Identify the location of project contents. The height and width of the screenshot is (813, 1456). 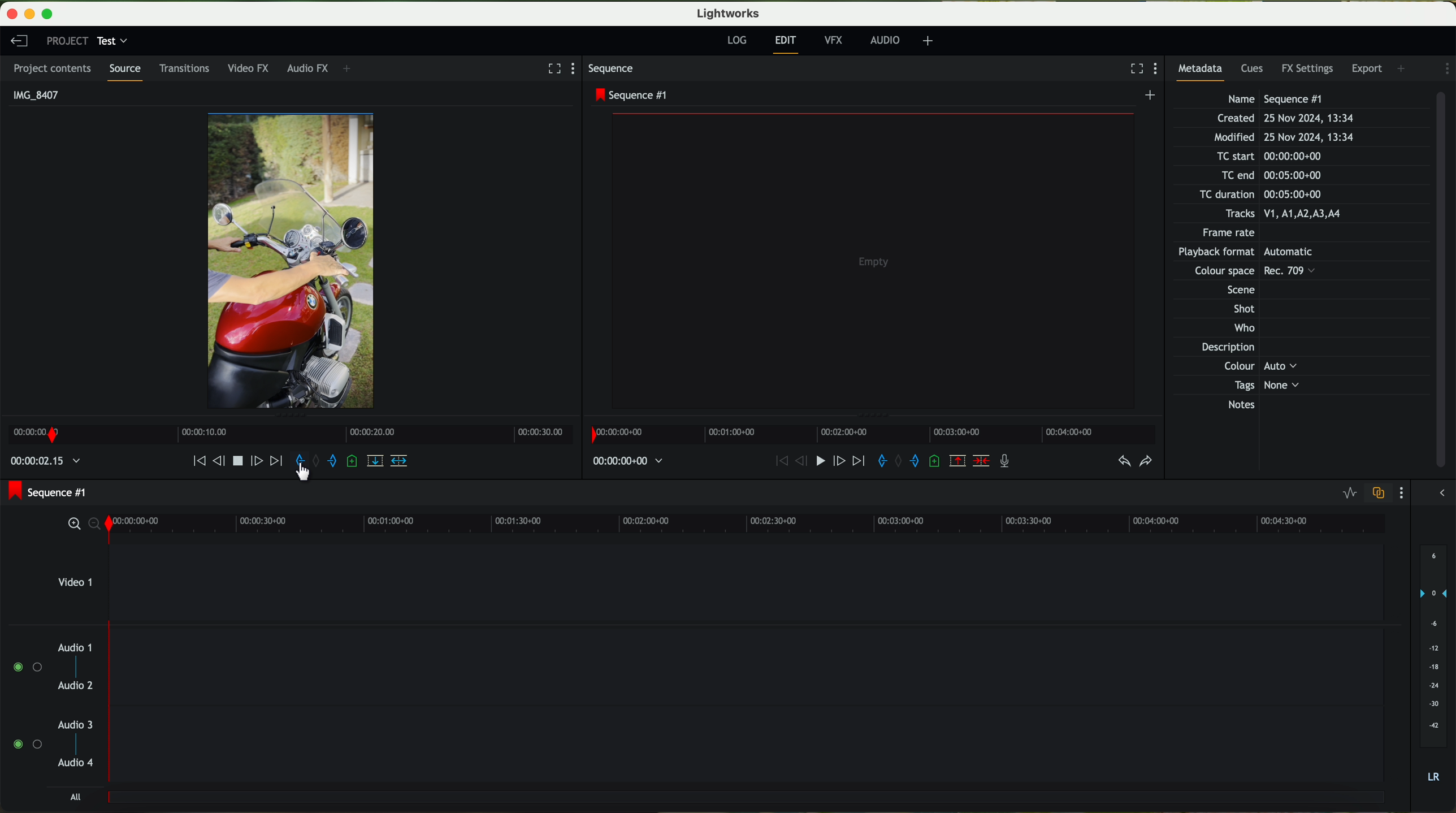
(54, 68).